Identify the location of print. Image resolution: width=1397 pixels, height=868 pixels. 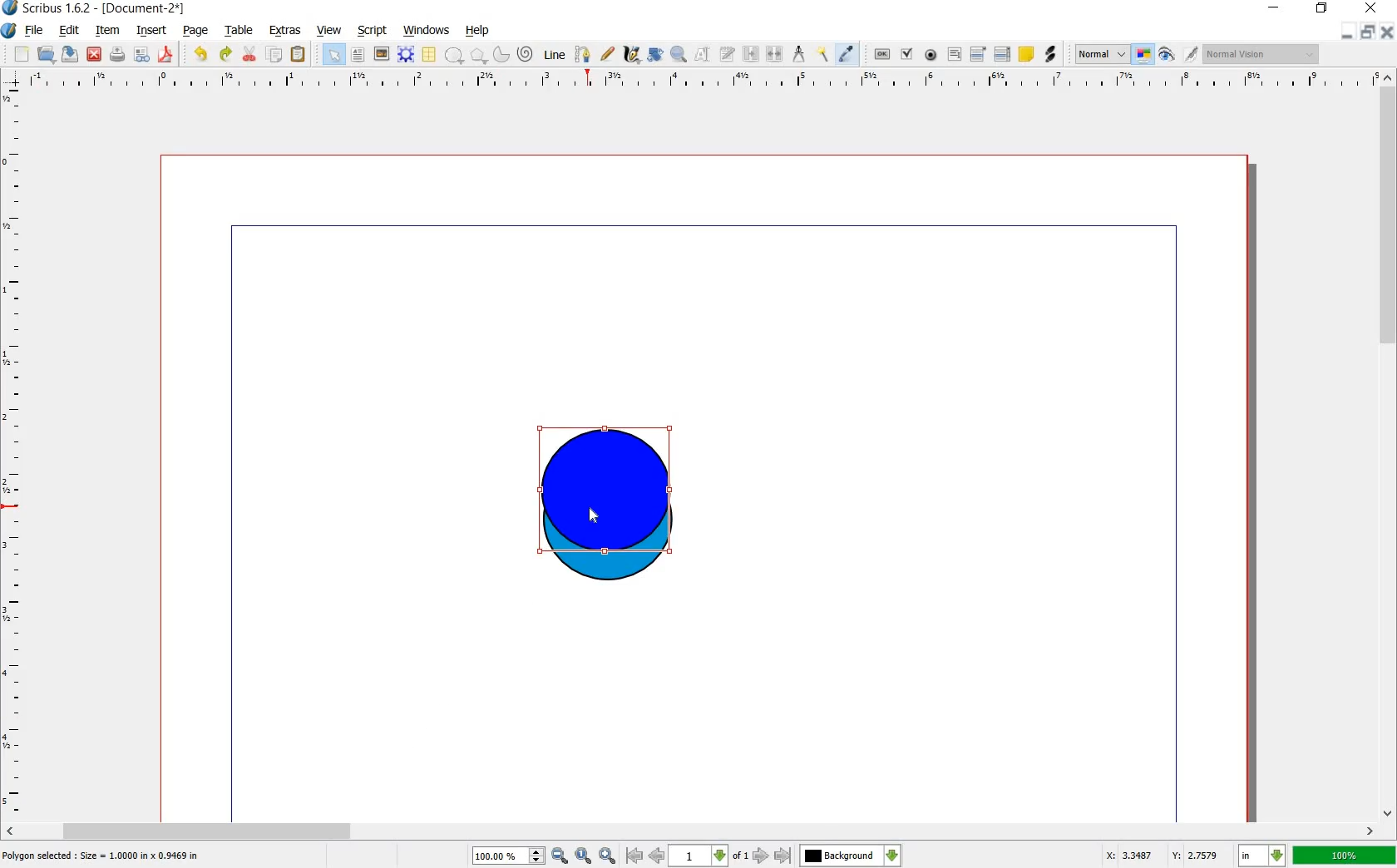
(118, 55).